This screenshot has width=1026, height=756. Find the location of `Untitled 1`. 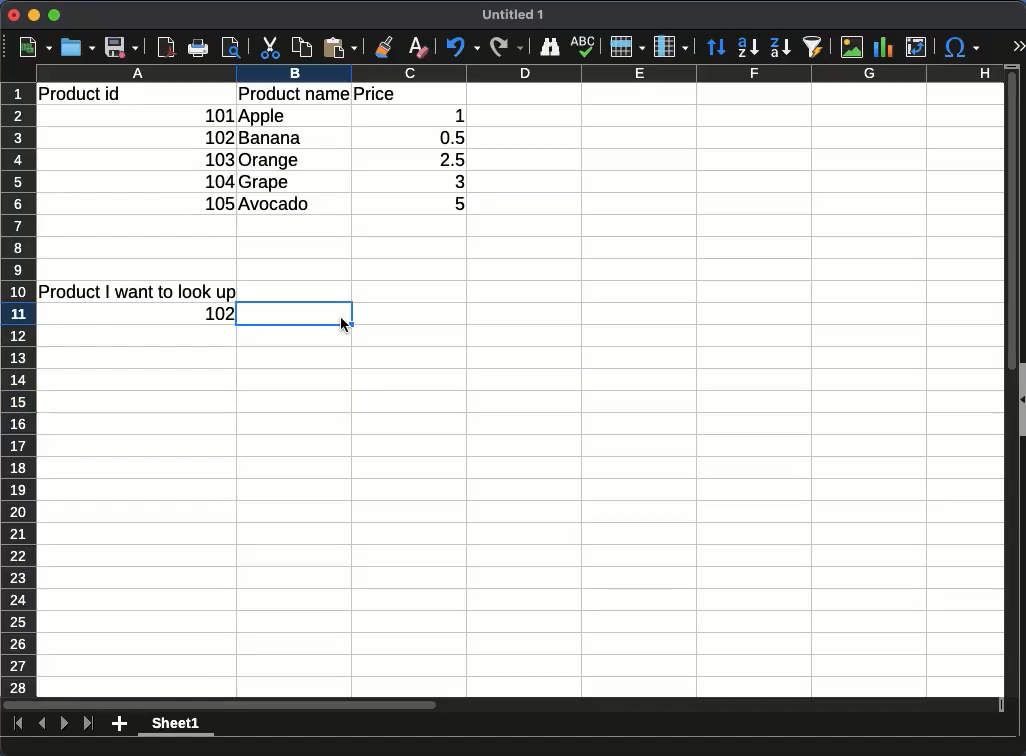

Untitled 1 is located at coordinates (512, 14).